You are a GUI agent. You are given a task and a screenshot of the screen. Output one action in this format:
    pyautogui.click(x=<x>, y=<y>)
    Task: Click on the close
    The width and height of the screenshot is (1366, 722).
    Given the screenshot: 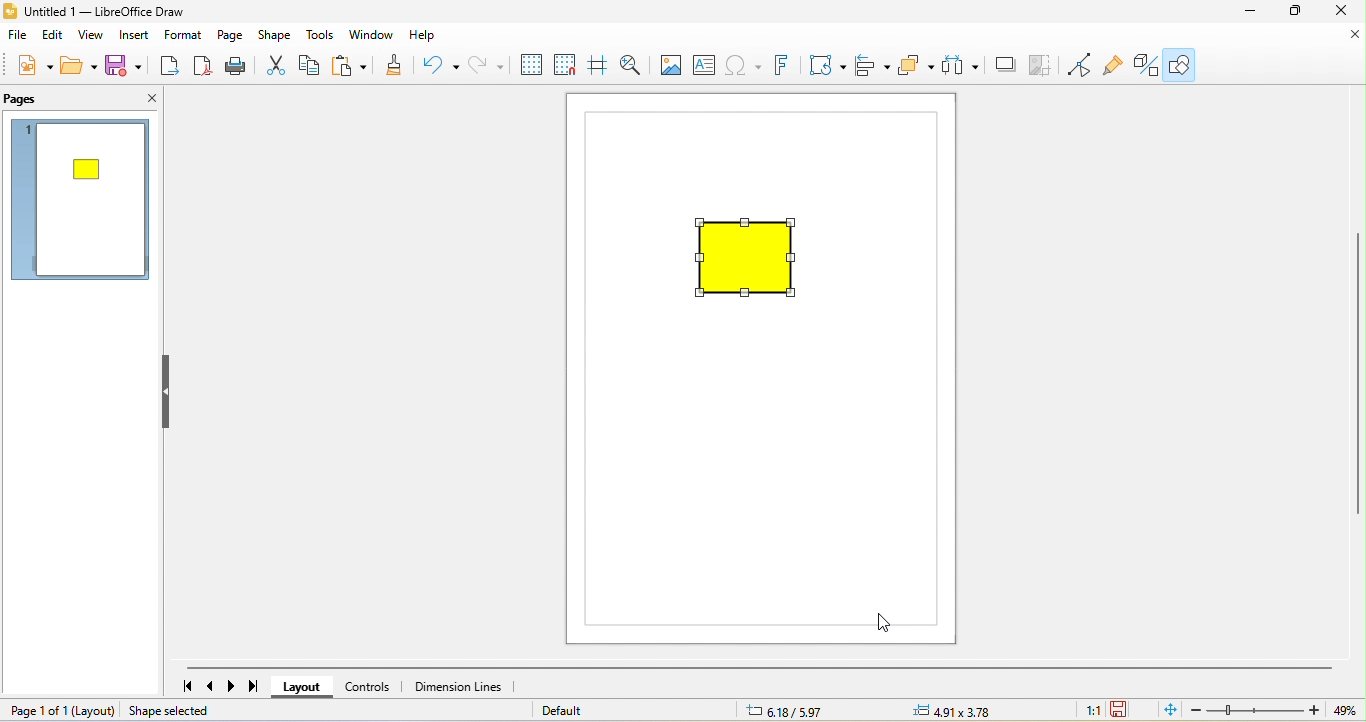 What is the action you would take?
    pyautogui.click(x=1343, y=12)
    